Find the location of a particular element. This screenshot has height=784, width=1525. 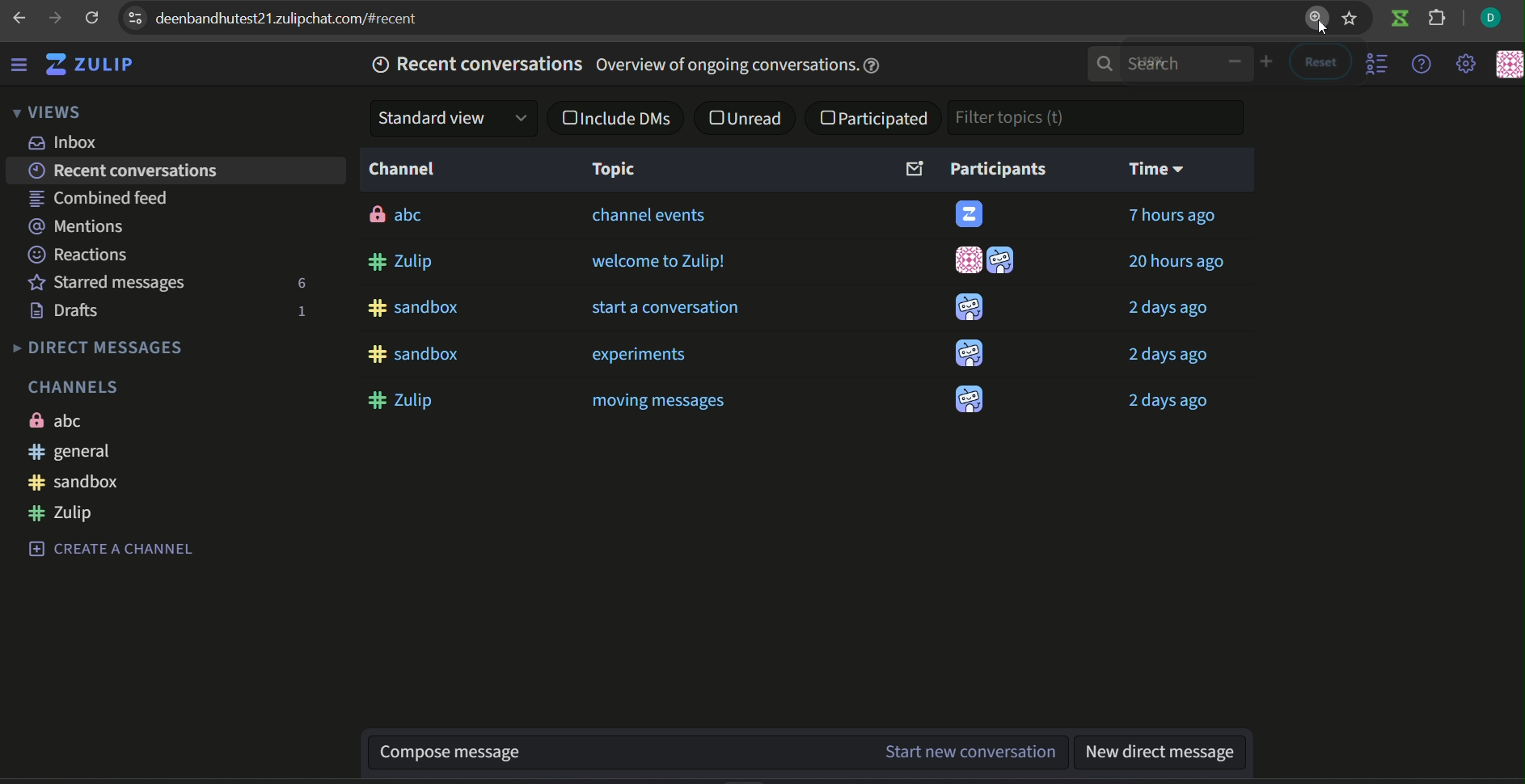

recent conversations is located at coordinates (127, 171).